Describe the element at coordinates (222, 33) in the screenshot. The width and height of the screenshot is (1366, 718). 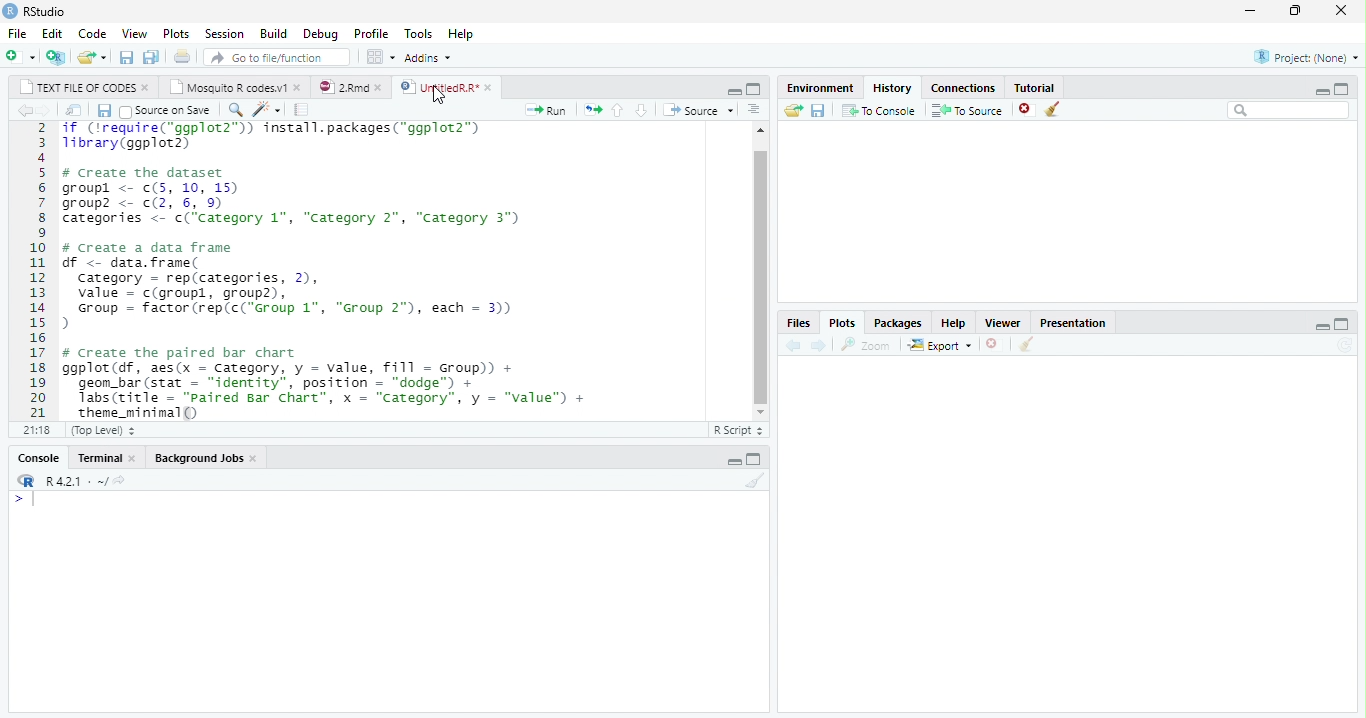
I see `session` at that location.